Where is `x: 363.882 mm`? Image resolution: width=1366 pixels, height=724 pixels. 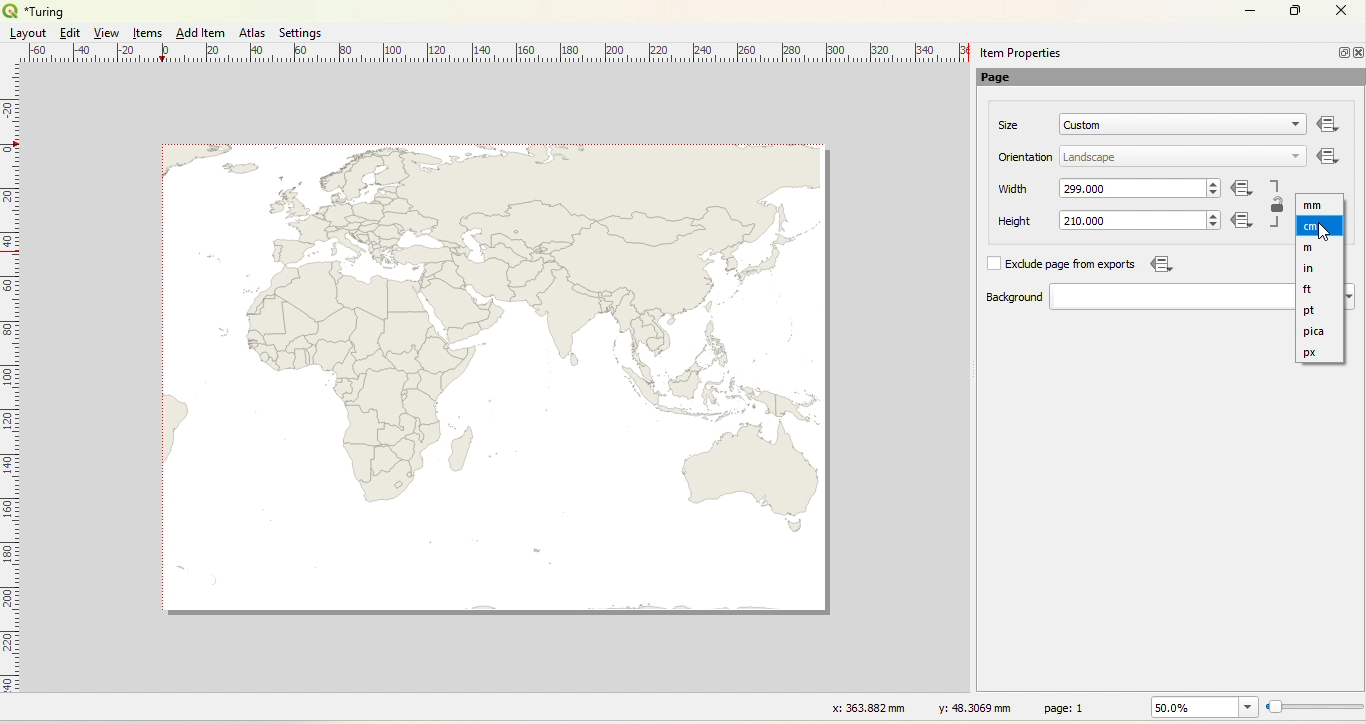
x: 363.882 mm is located at coordinates (866, 707).